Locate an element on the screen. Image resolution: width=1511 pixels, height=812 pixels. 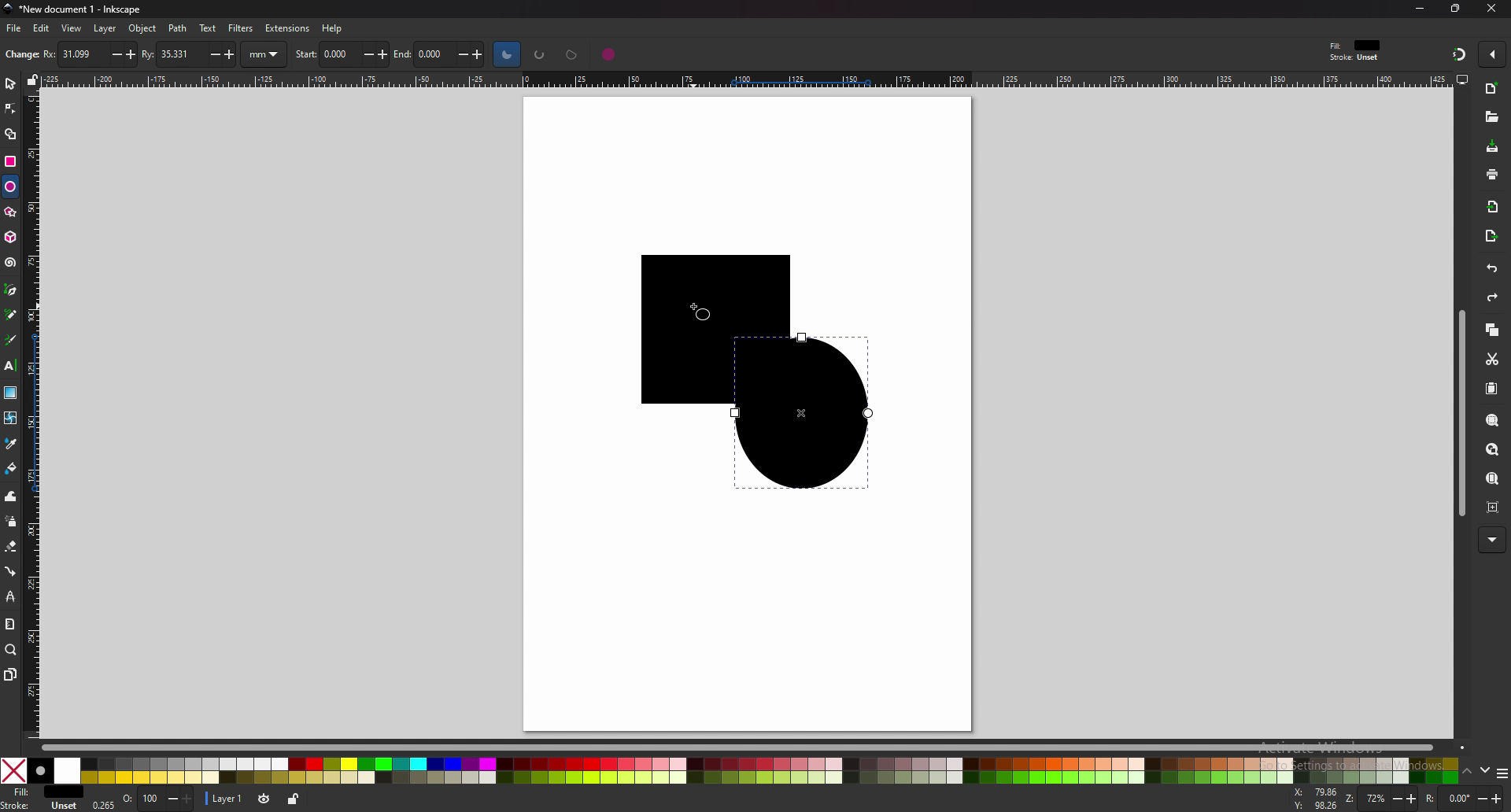
horizontal radius is located at coordinates (87, 54).